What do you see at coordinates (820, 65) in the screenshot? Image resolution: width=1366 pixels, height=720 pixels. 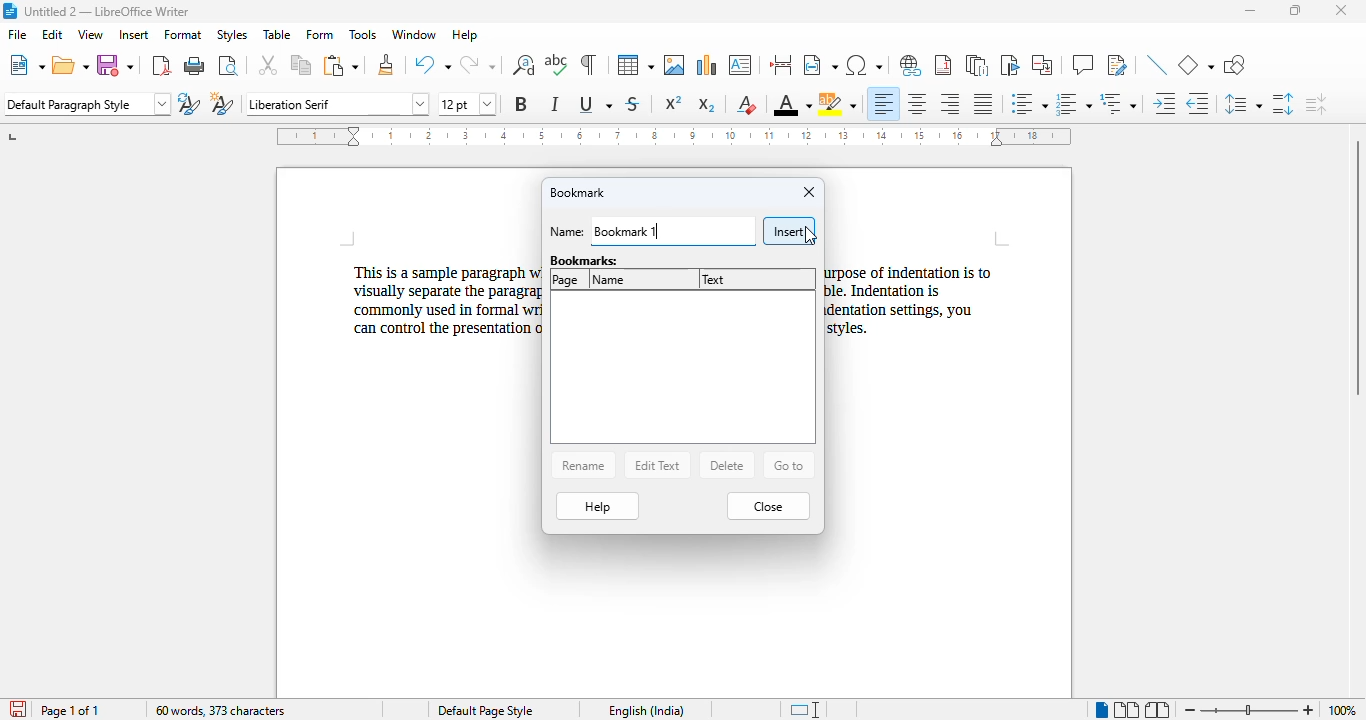 I see `insert field` at bounding box center [820, 65].